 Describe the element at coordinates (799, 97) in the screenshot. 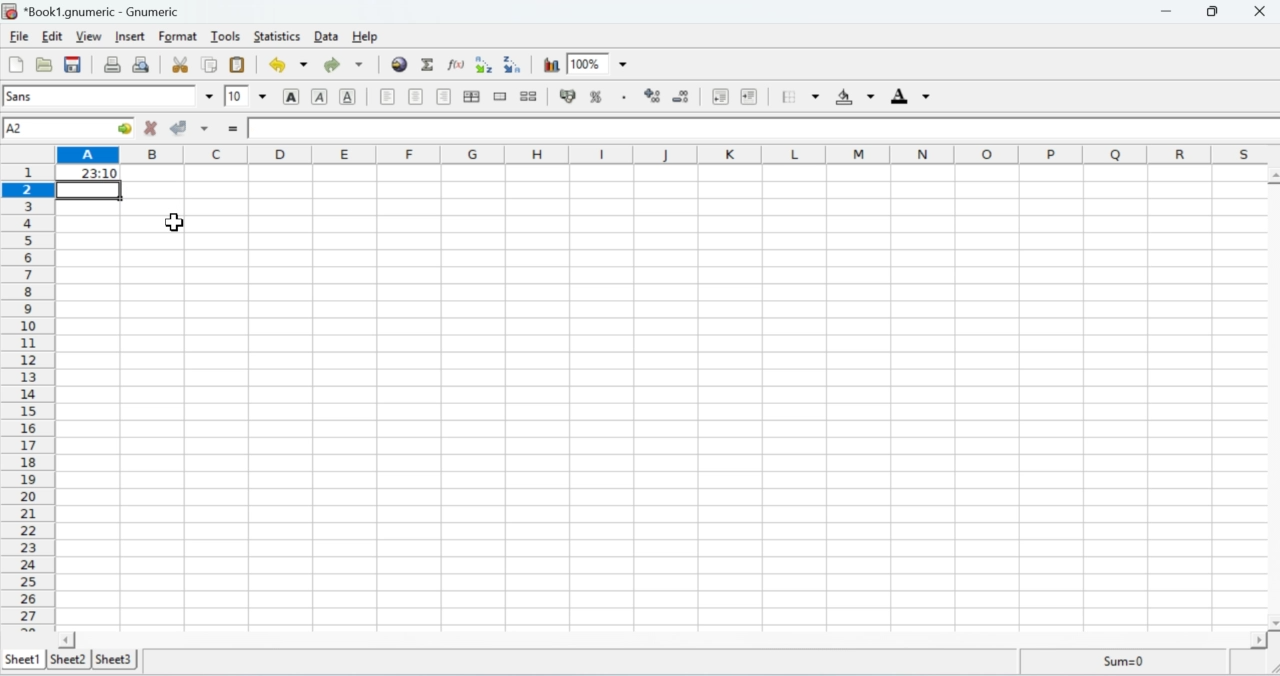

I see `Borders` at that location.